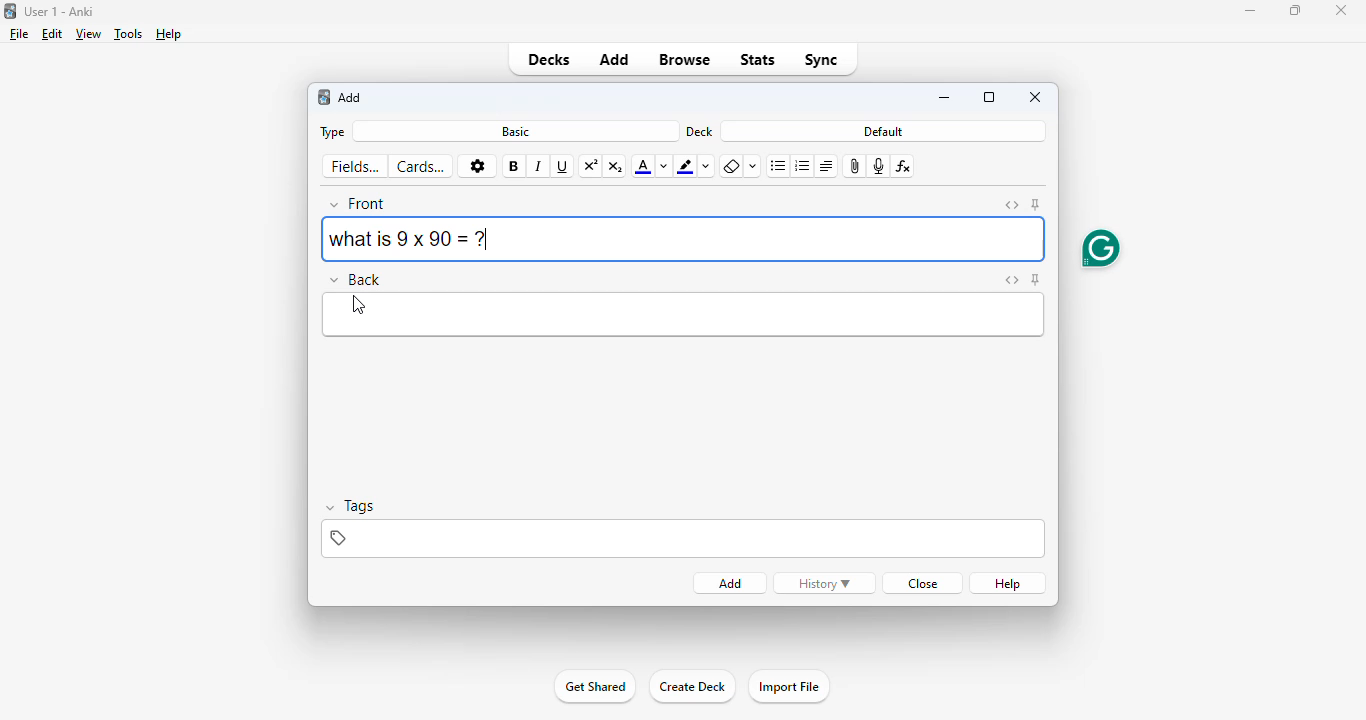 The width and height of the screenshot is (1366, 720). I want to click on italic, so click(540, 167).